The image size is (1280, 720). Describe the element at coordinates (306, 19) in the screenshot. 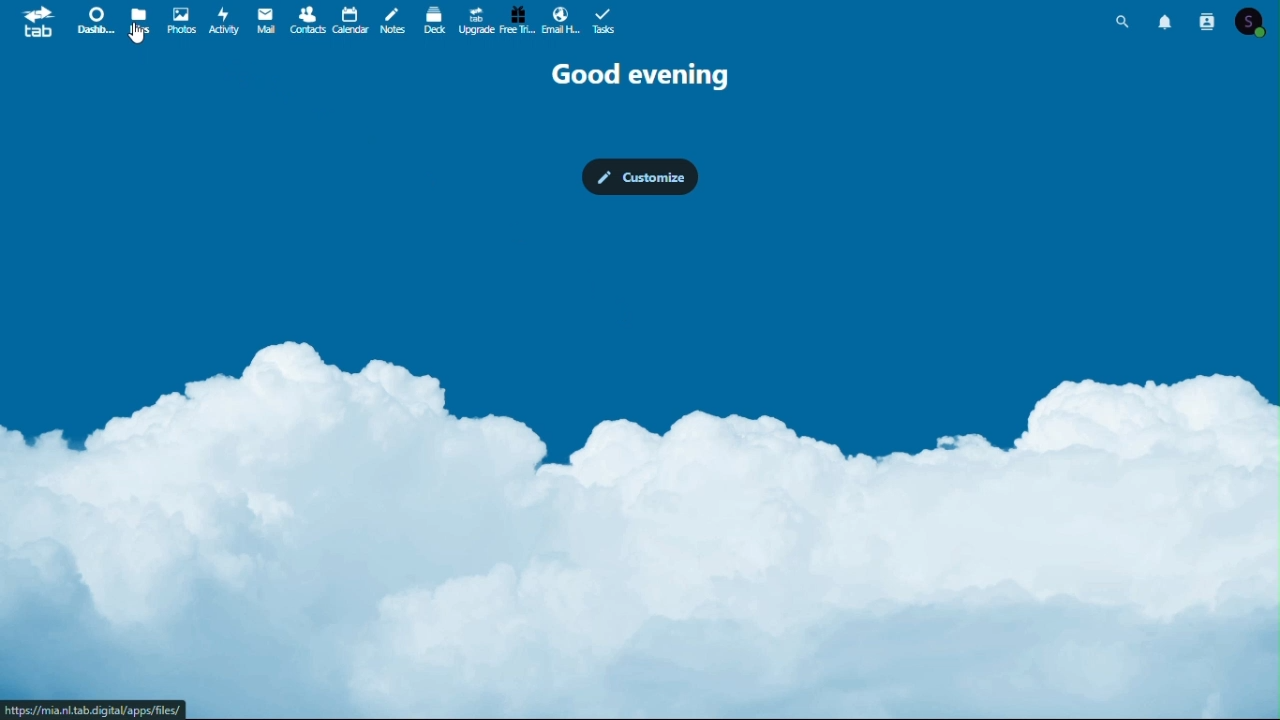

I see `contacts` at that location.